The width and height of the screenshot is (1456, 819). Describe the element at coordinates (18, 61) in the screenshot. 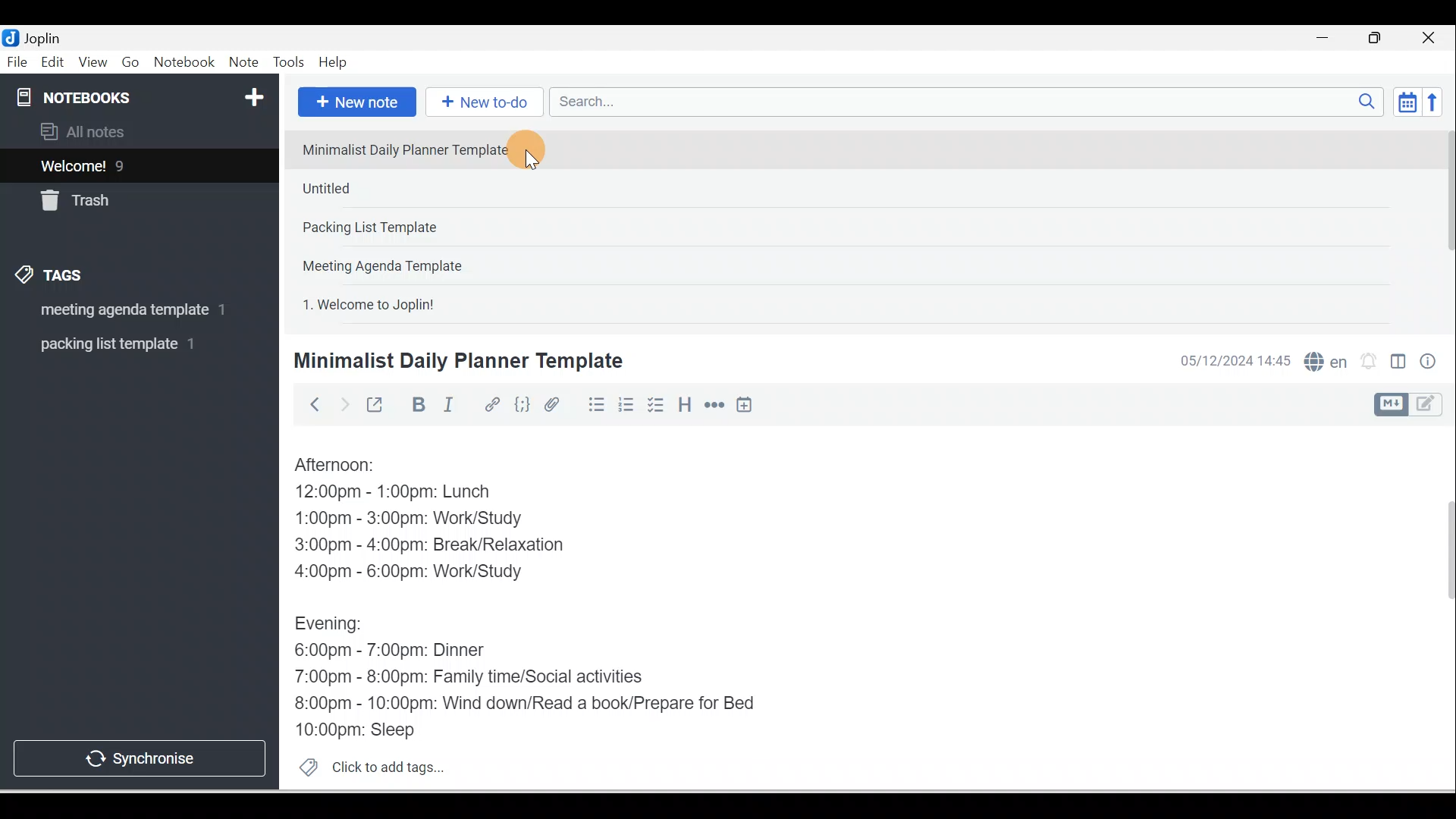

I see `File` at that location.